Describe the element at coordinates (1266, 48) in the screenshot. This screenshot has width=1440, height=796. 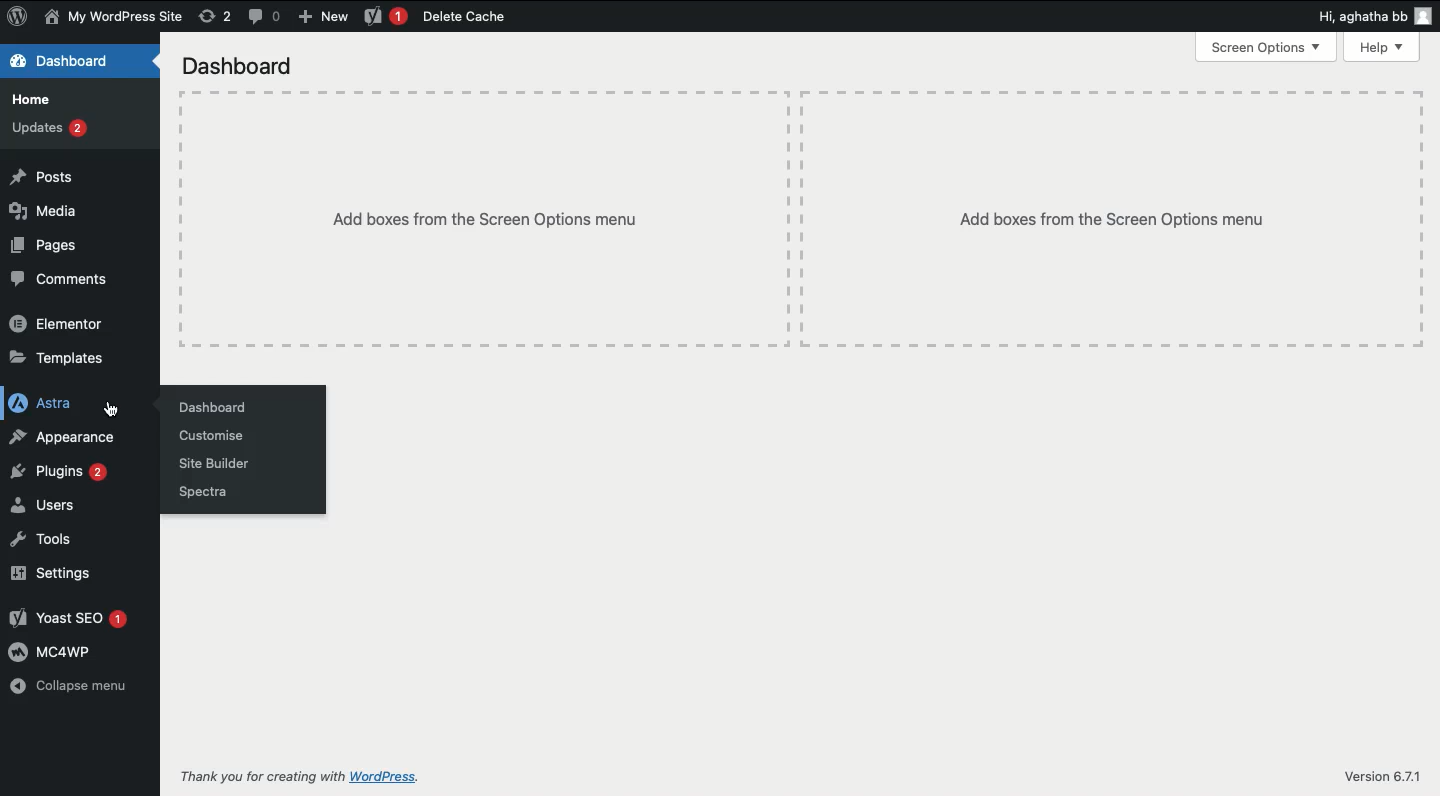
I see `screen options` at that location.